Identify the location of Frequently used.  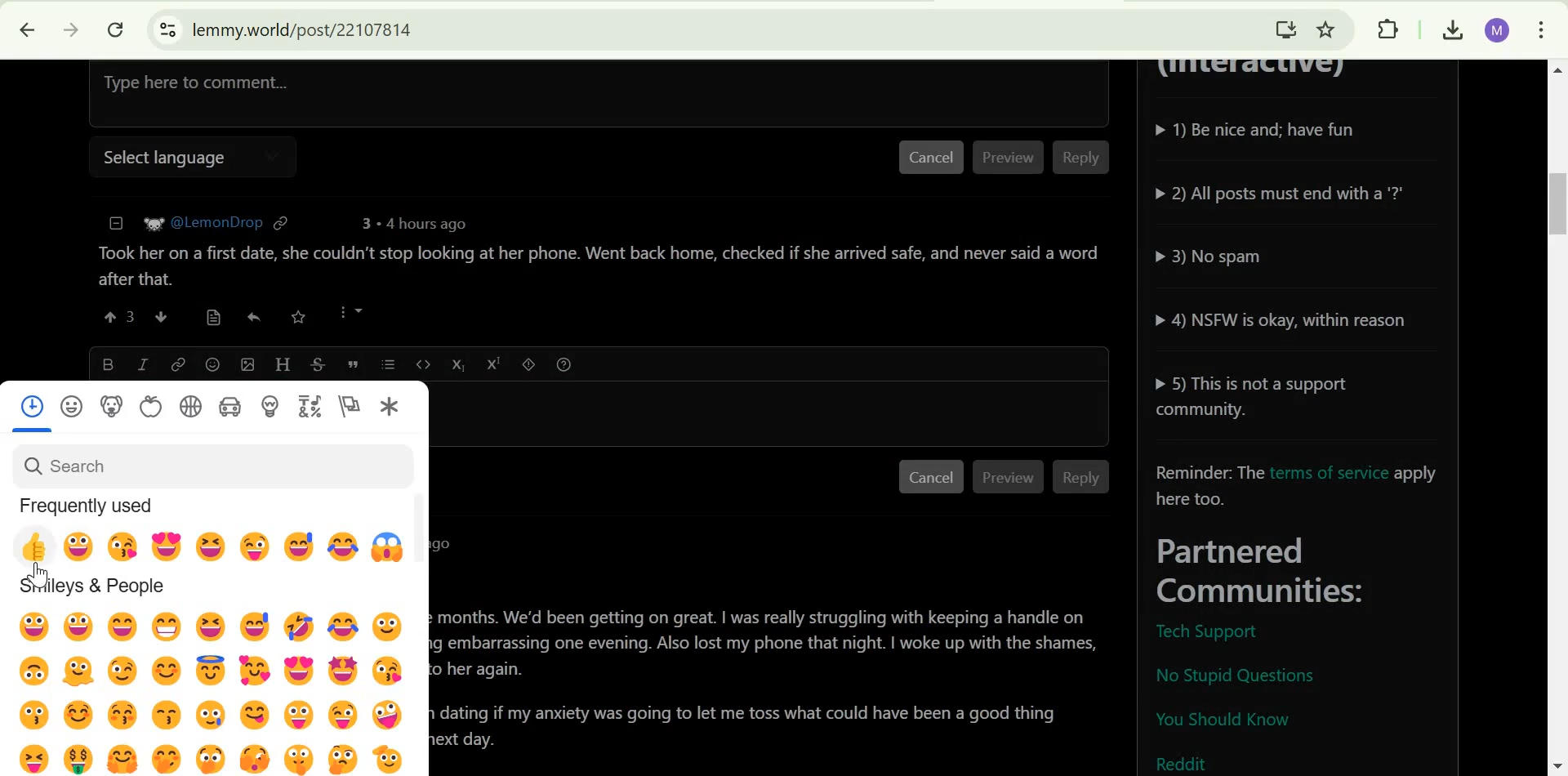
(32, 406).